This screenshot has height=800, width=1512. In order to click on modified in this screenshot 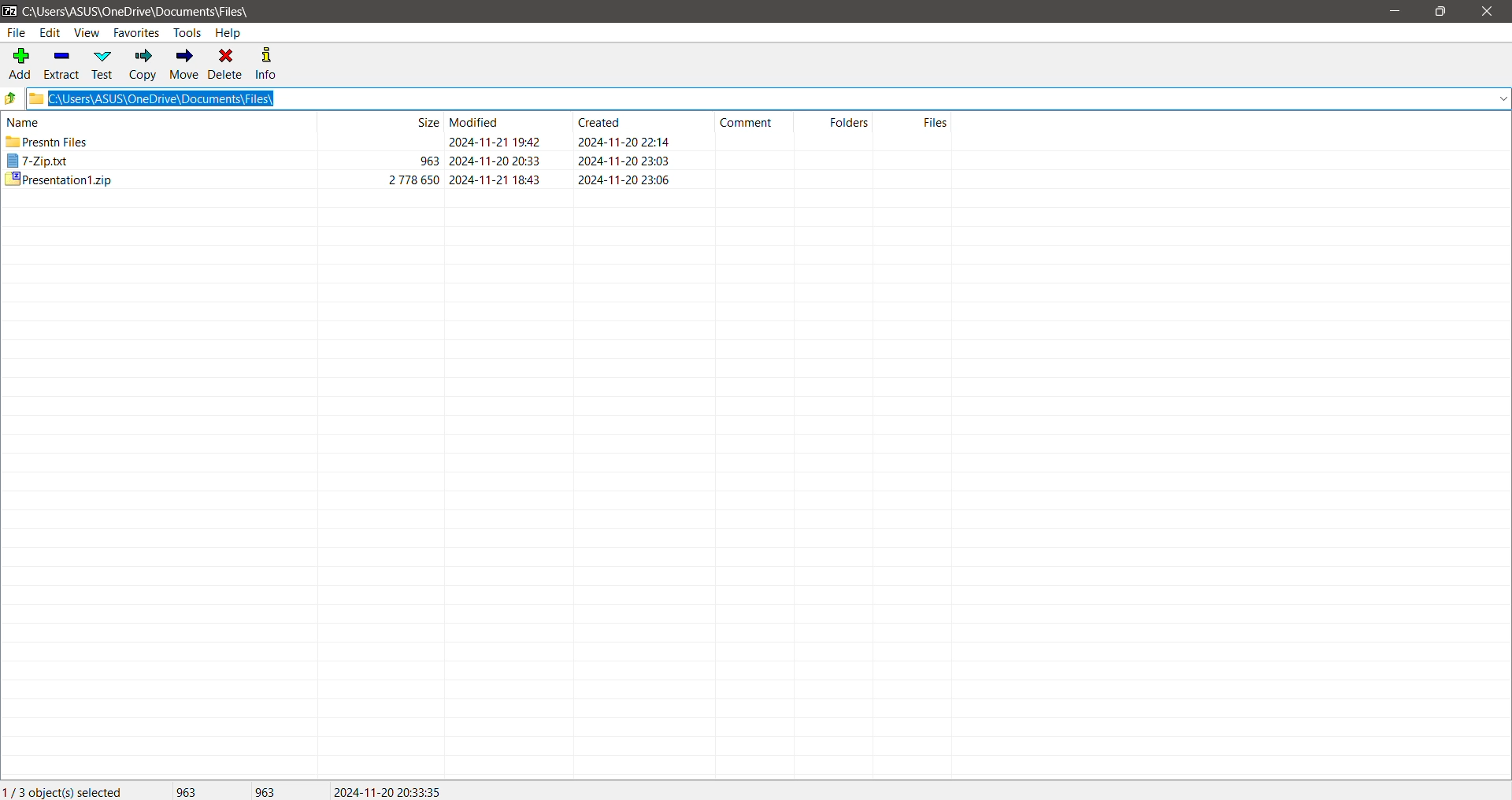, I will do `click(474, 122)`.